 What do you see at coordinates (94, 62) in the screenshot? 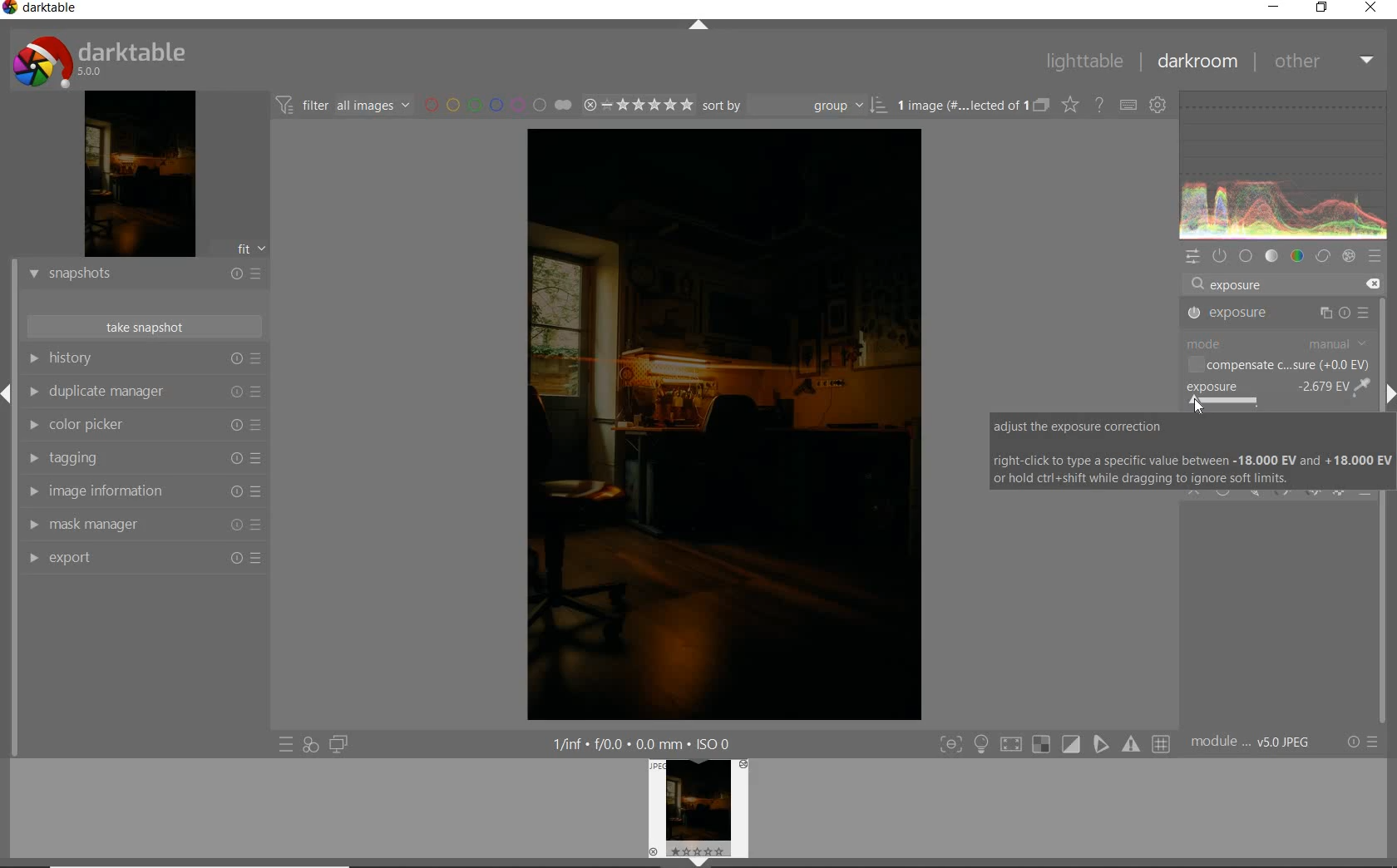
I see `system logo` at bounding box center [94, 62].